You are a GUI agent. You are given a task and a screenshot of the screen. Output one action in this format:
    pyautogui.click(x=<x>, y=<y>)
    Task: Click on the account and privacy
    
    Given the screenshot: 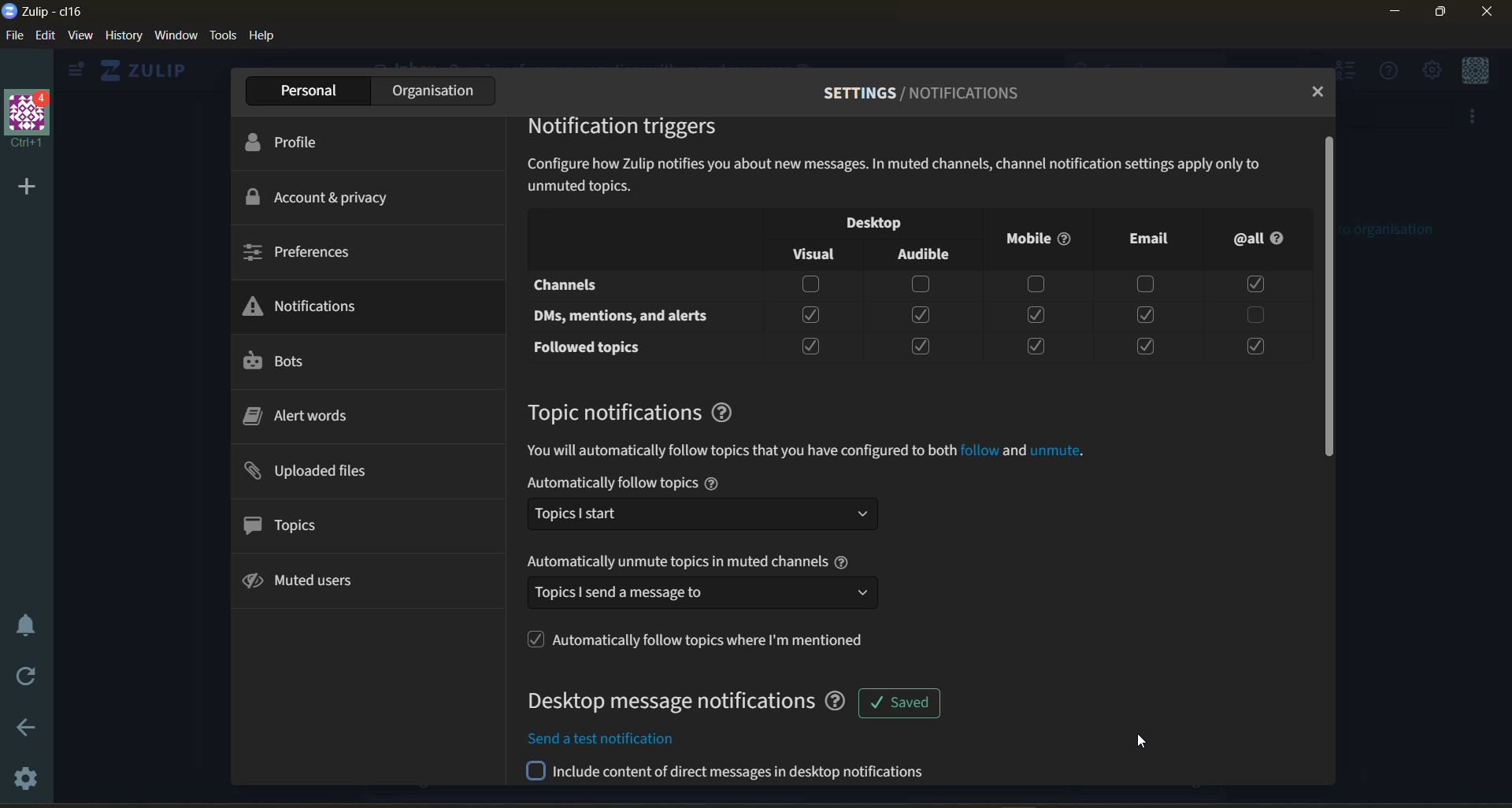 What is the action you would take?
    pyautogui.click(x=329, y=198)
    